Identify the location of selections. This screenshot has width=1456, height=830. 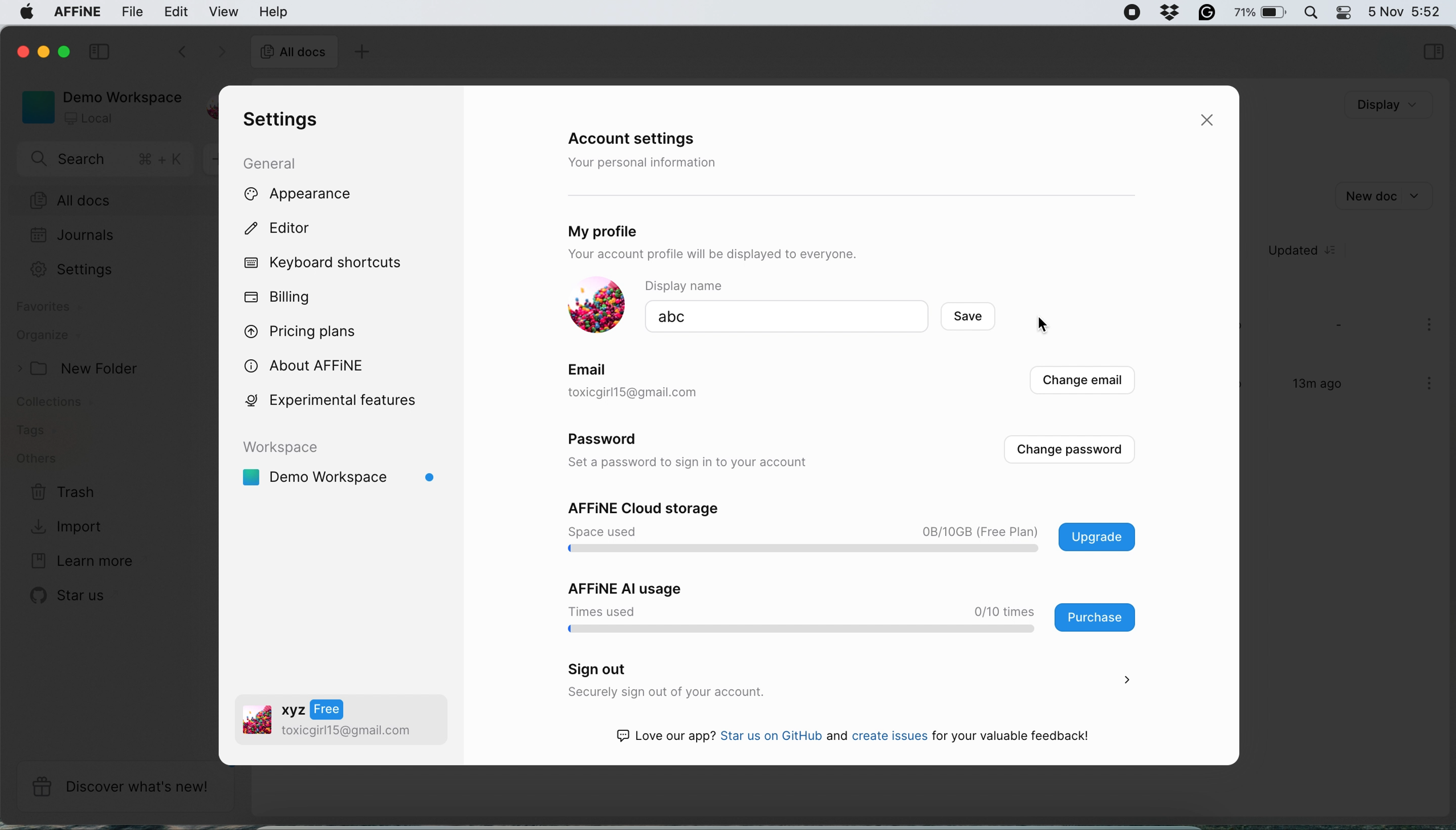
(1433, 53).